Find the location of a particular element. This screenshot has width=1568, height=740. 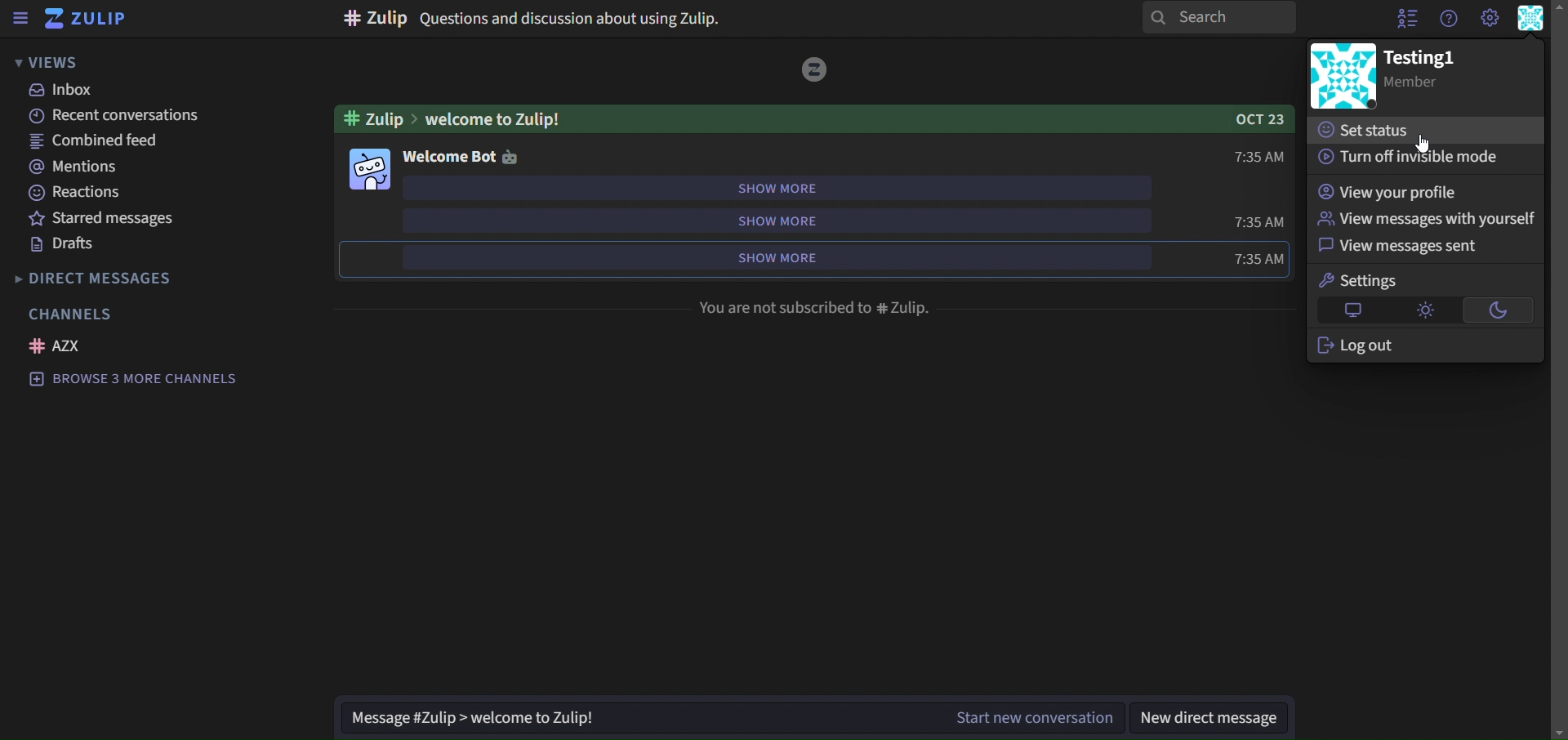

combined feed is located at coordinates (98, 143).